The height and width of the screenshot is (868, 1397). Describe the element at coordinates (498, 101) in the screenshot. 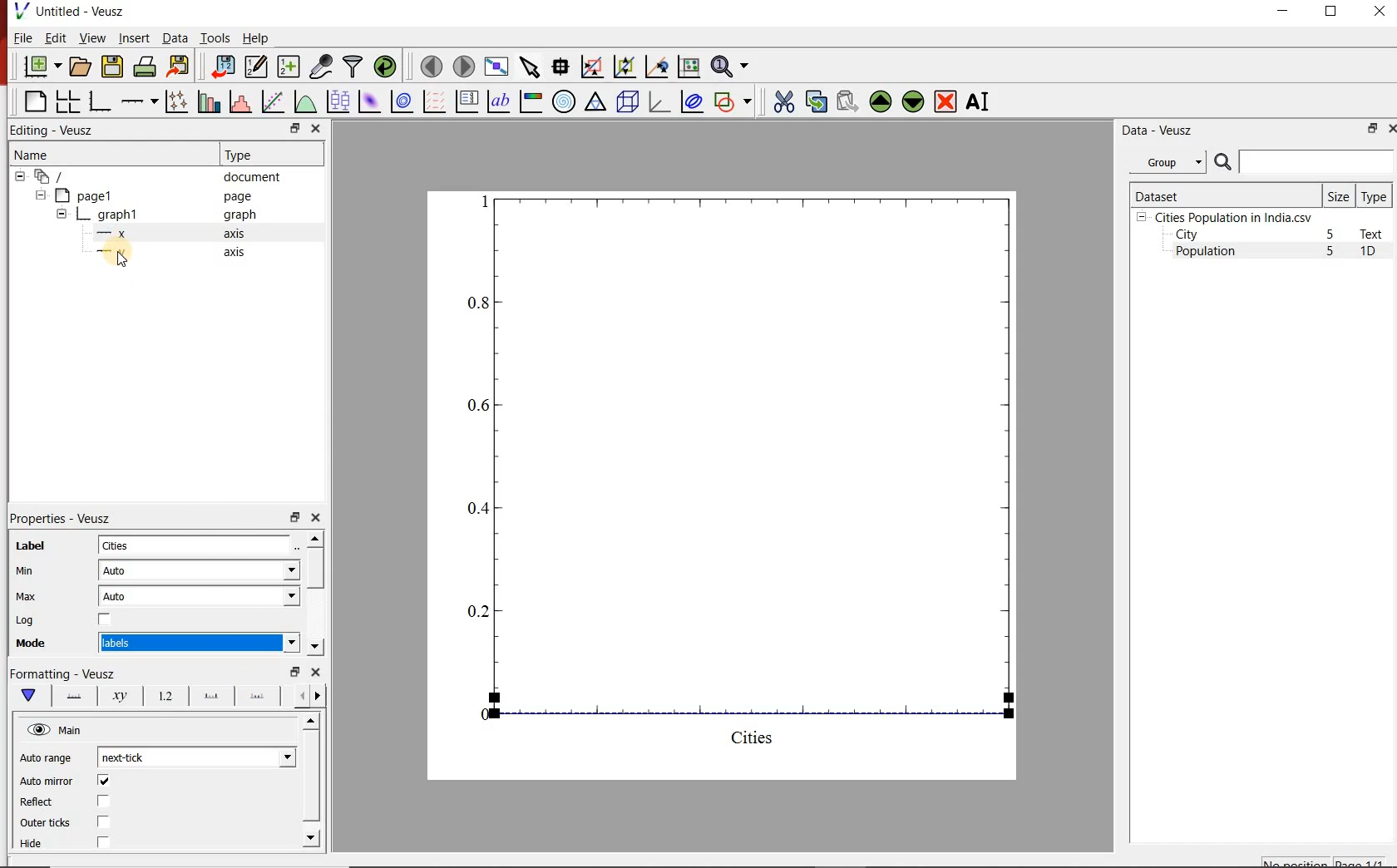

I see `text label` at that location.